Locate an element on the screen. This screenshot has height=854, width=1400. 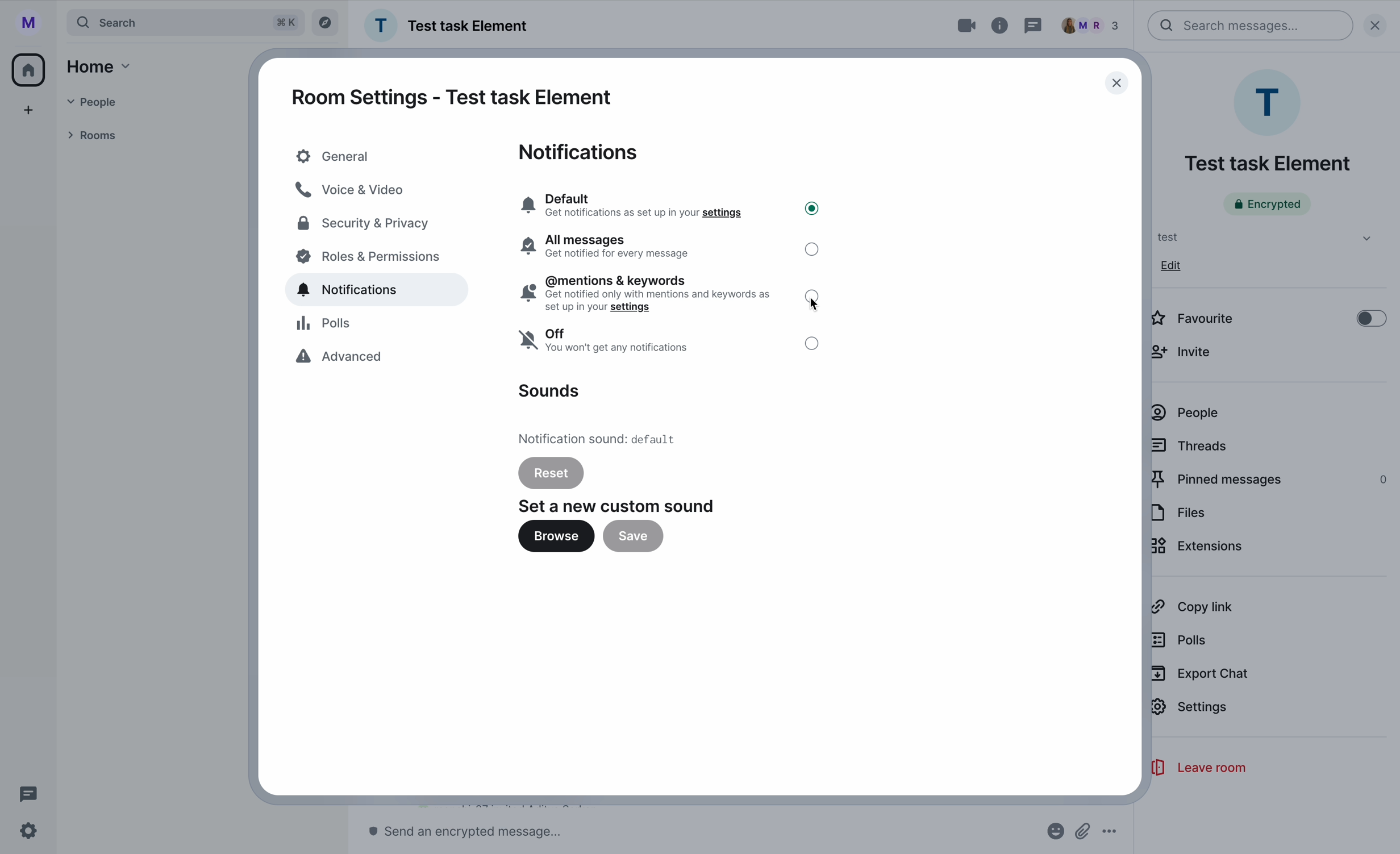
disable save button is located at coordinates (632, 536).